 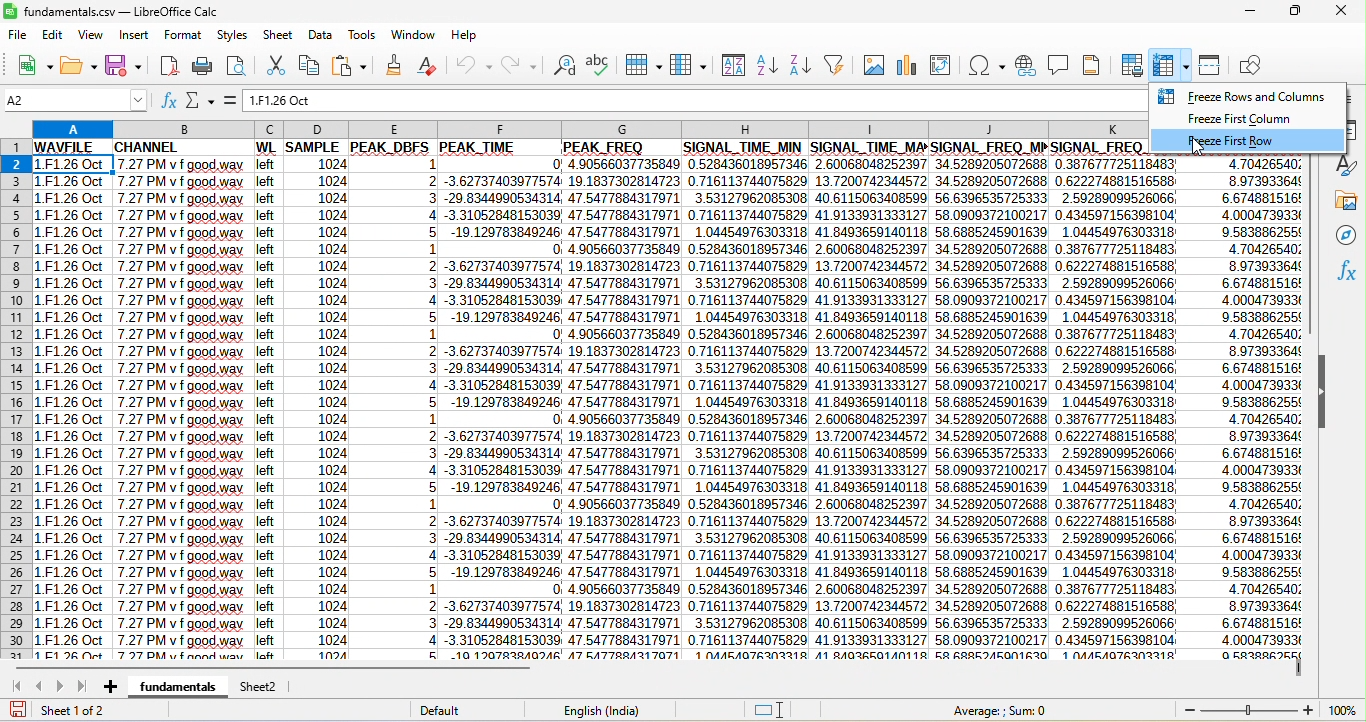 What do you see at coordinates (1346, 201) in the screenshot?
I see `gallary` at bounding box center [1346, 201].